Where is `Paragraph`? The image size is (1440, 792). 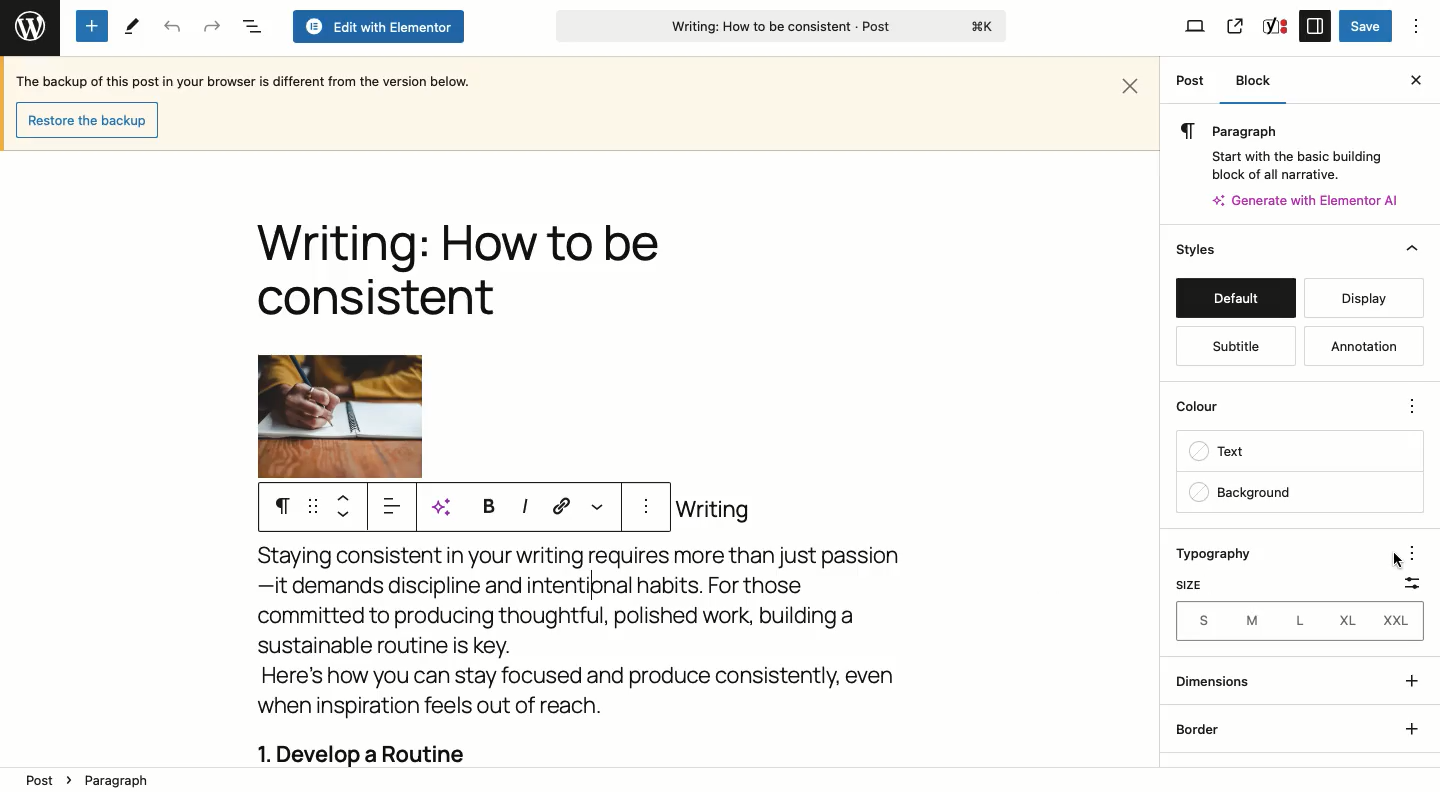 Paragraph is located at coordinates (282, 507).